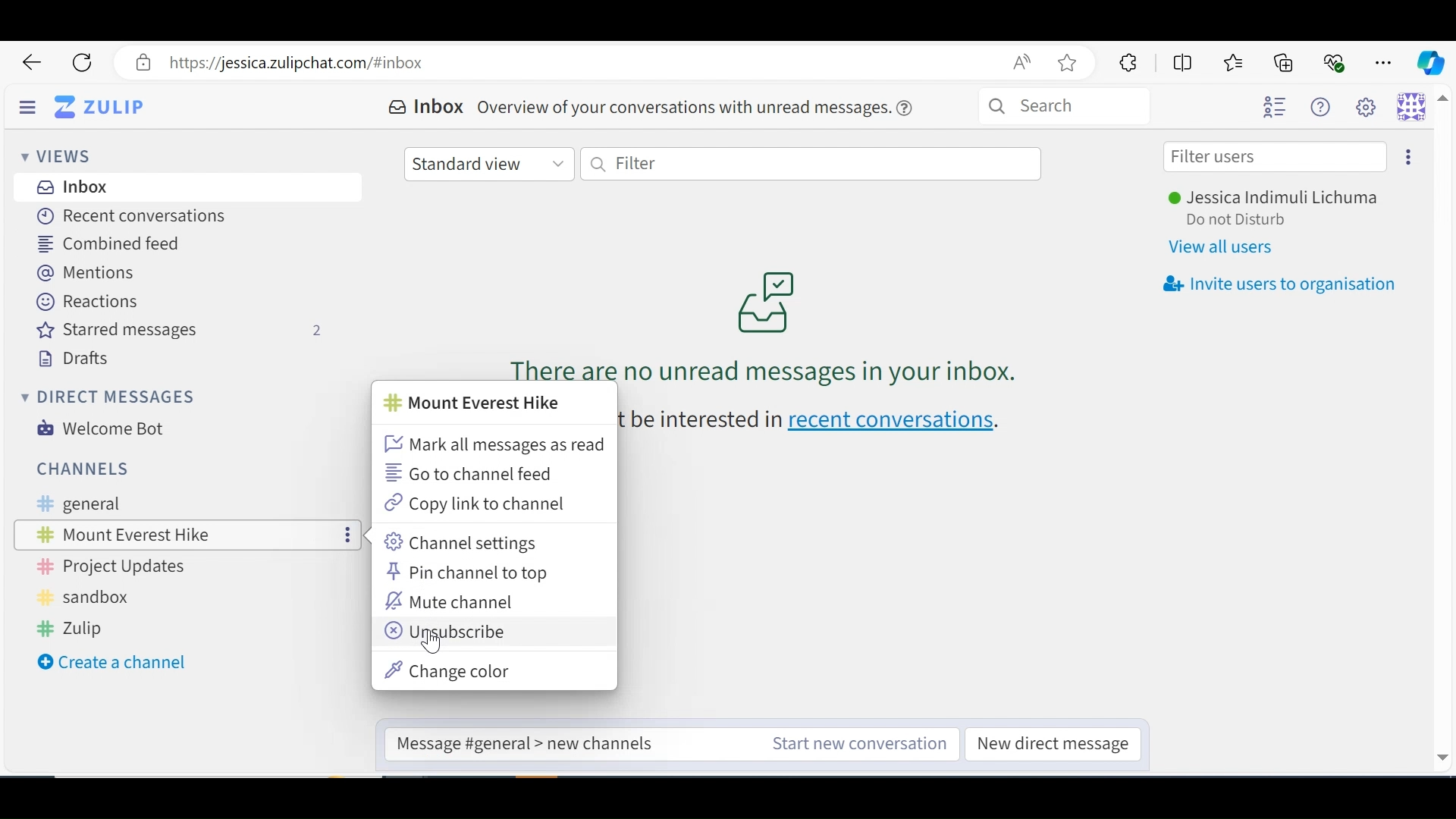 Image resolution: width=1456 pixels, height=819 pixels. What do you see at coordinates (1235, 62) in the screenshot?
I see `Favorites` at bounding box center [1235, 62].